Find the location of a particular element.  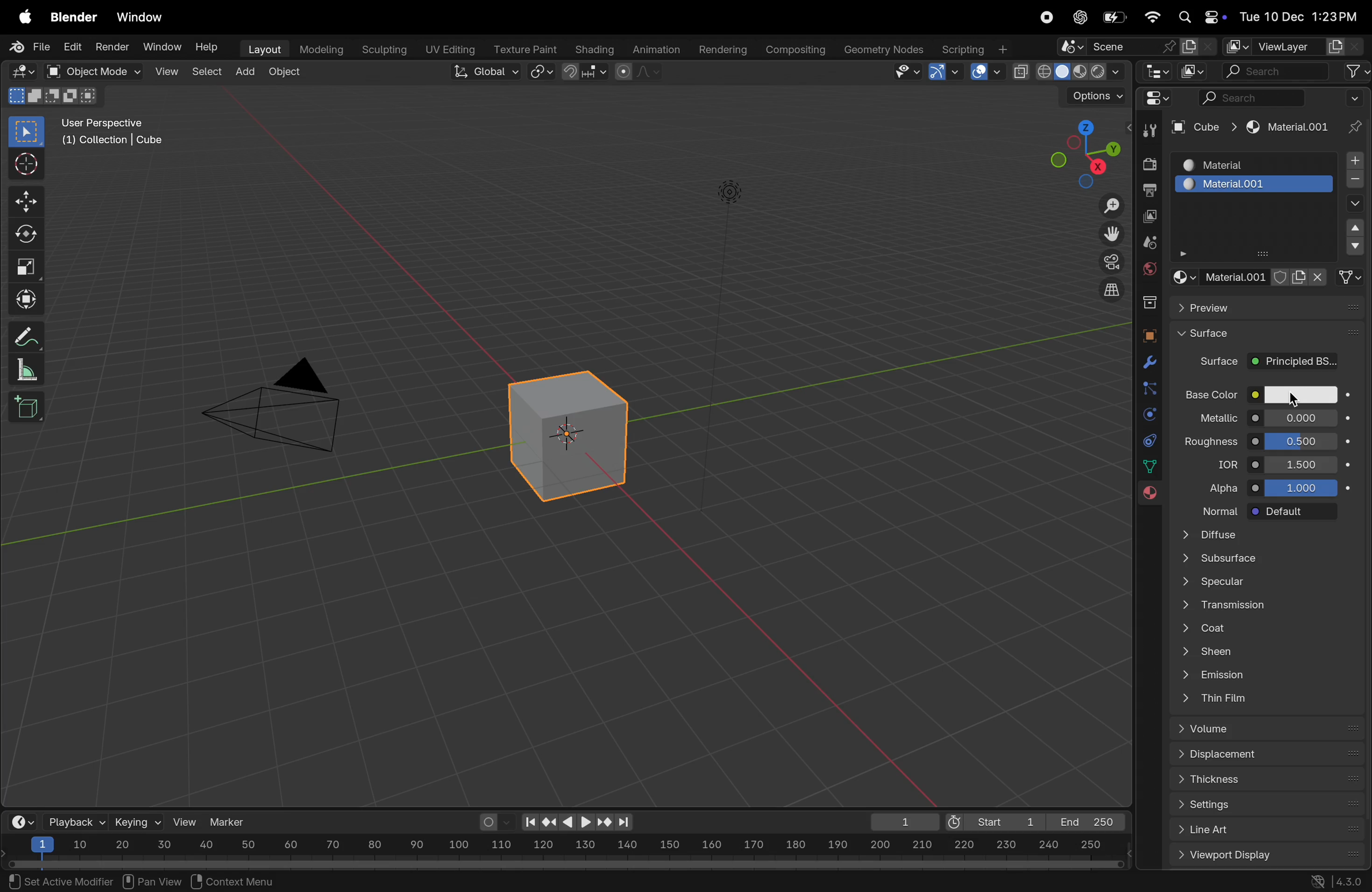

options is located at coordinates (1088, 96).